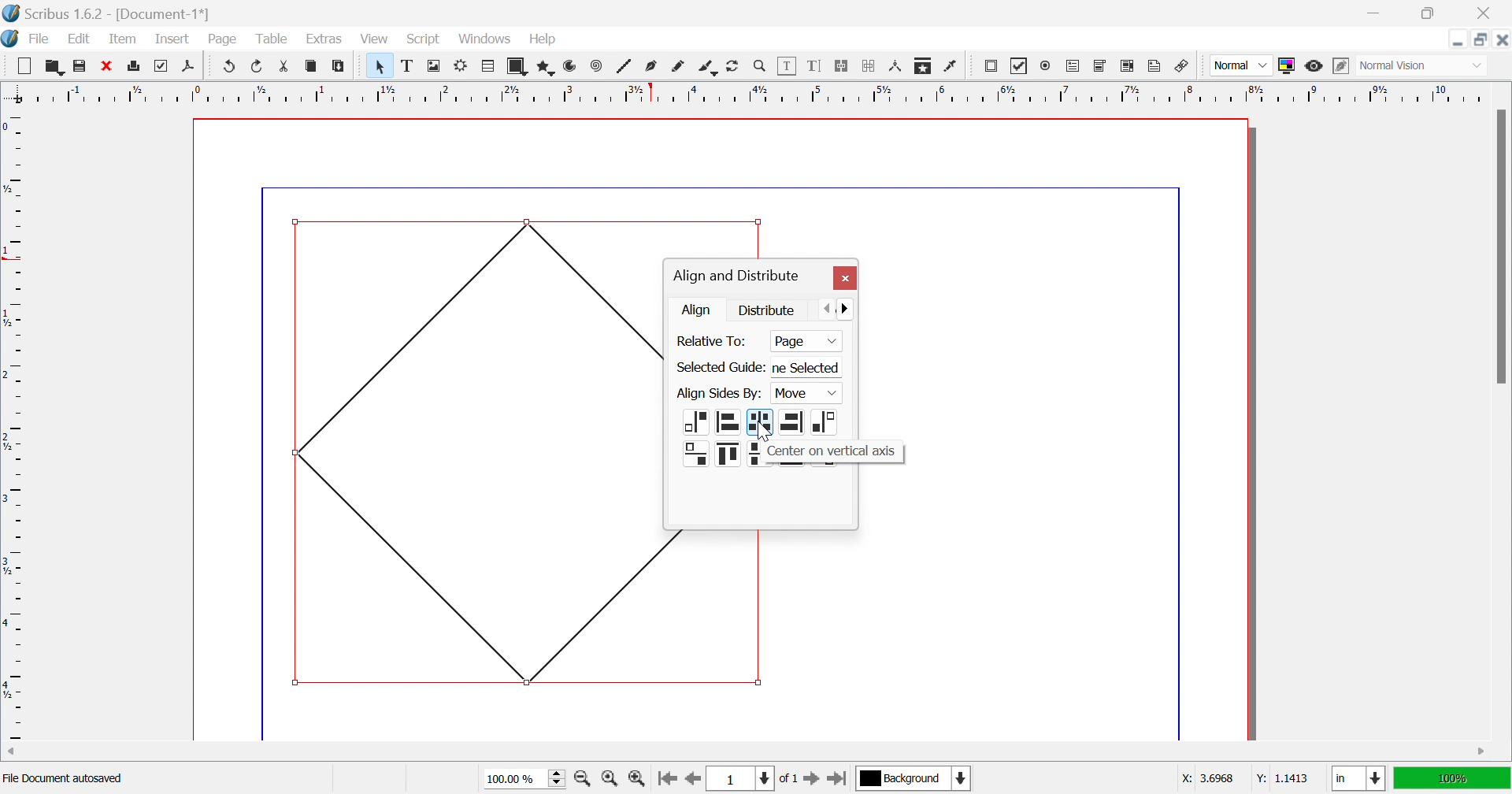 This screenshot has width=1512, height=794. Describe the element at coordinates (40, 40) in the screenshot. I see `File` at that location.